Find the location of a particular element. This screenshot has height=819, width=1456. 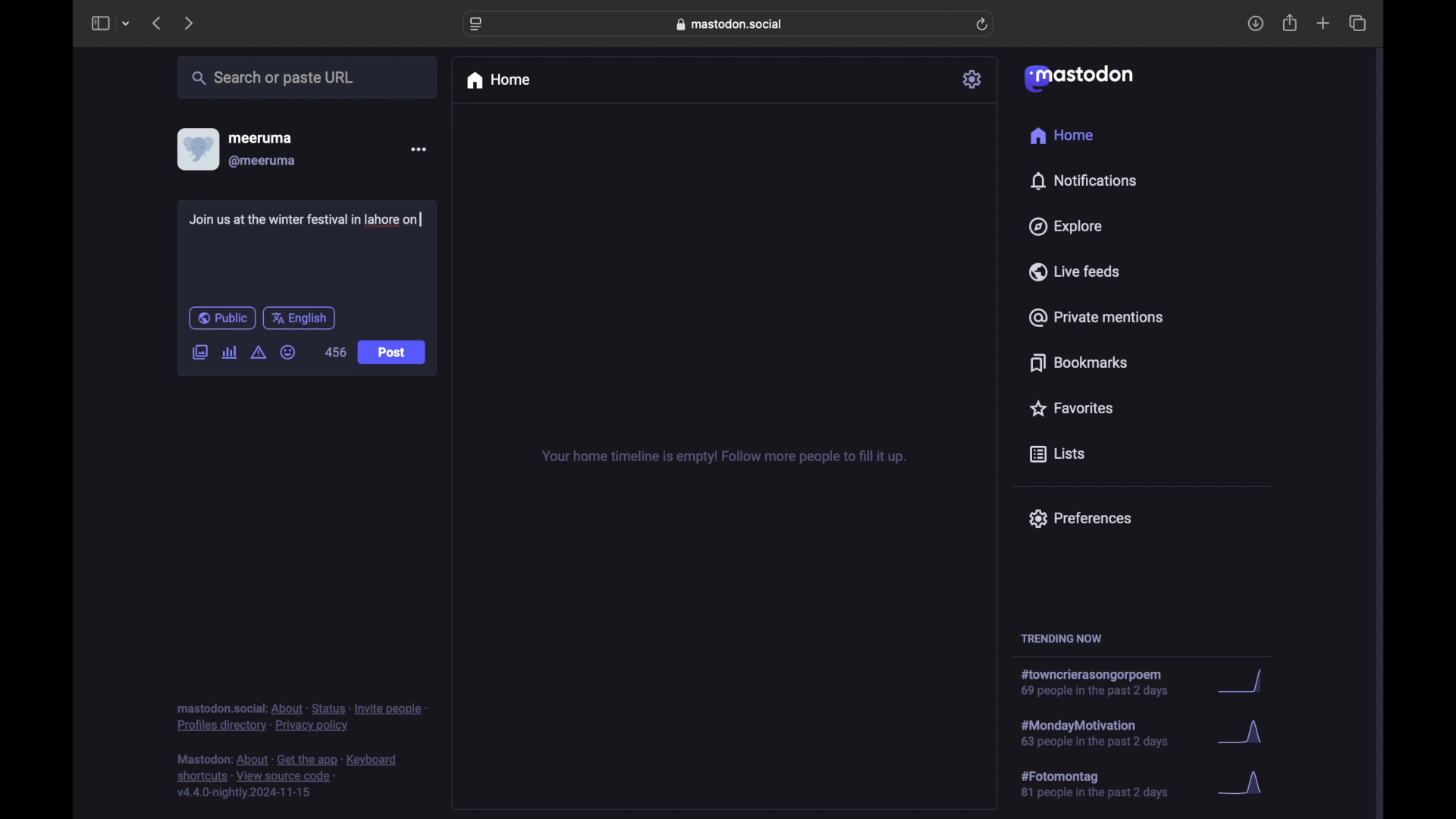

display picture is located at coordinates (196, 149).